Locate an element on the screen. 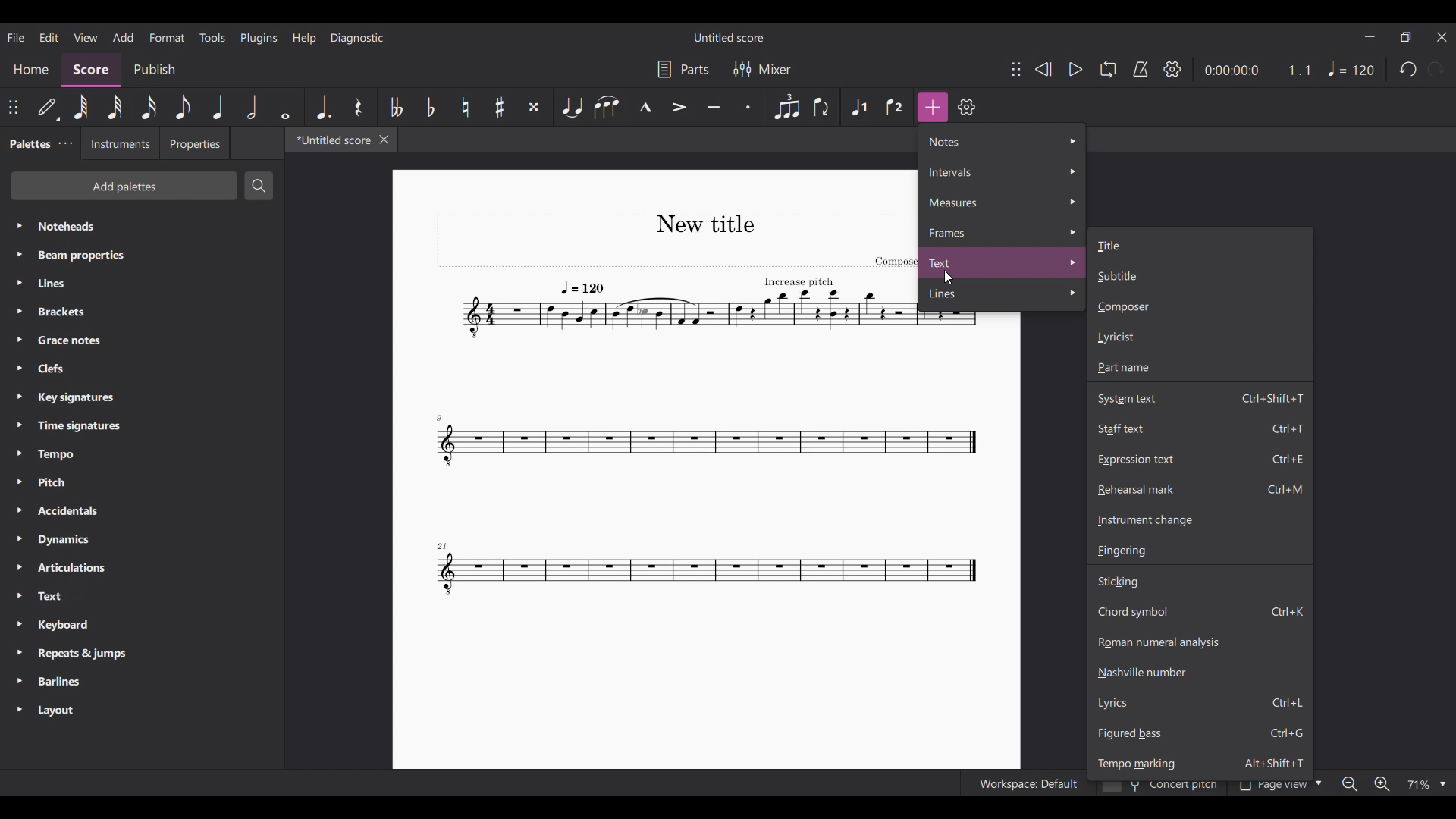  Instruments is located at coordinates (118, 143).